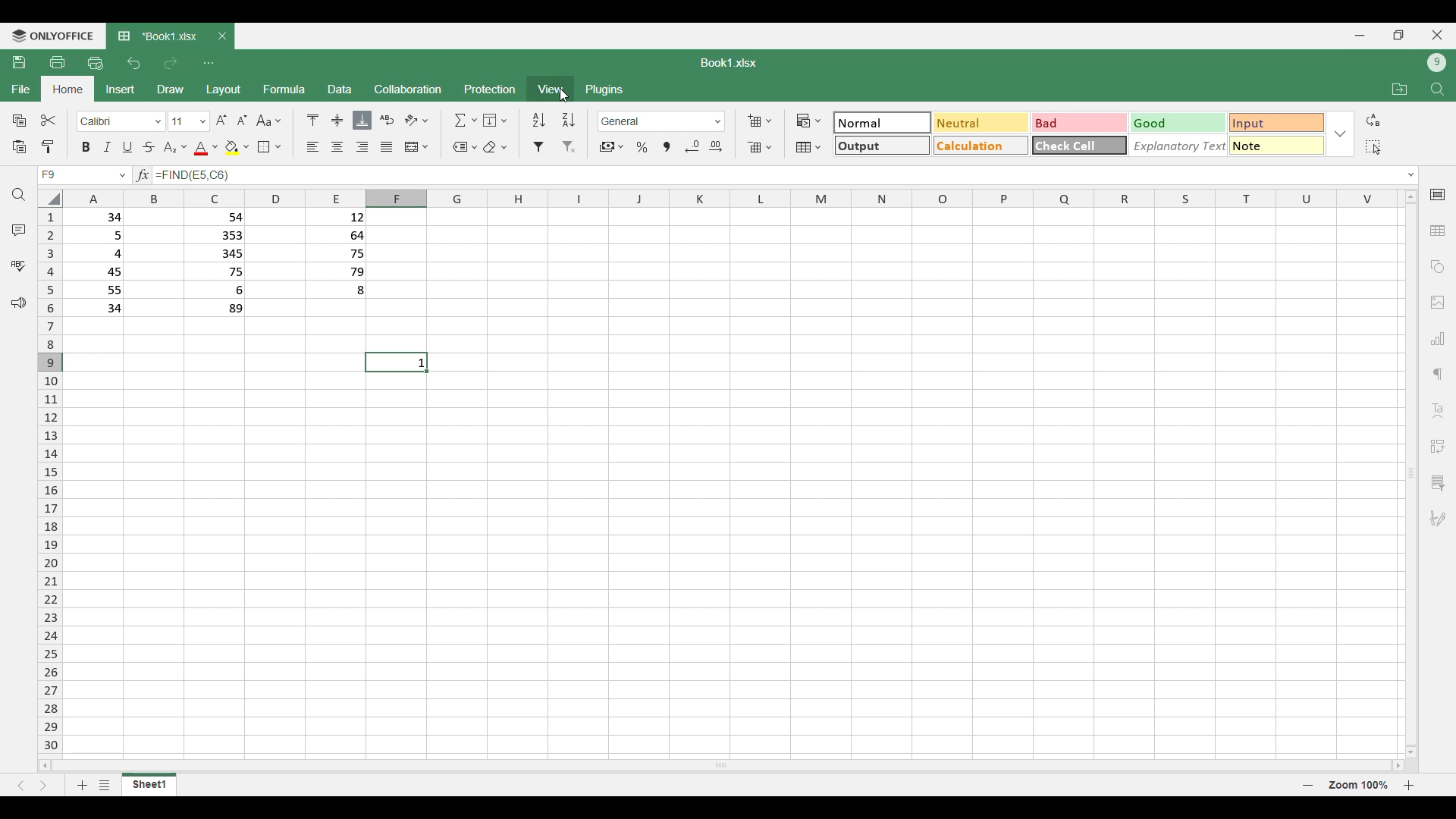 This screenshot has width=1456, height=819. I want to click on Neutral cell, so click(981, 123).